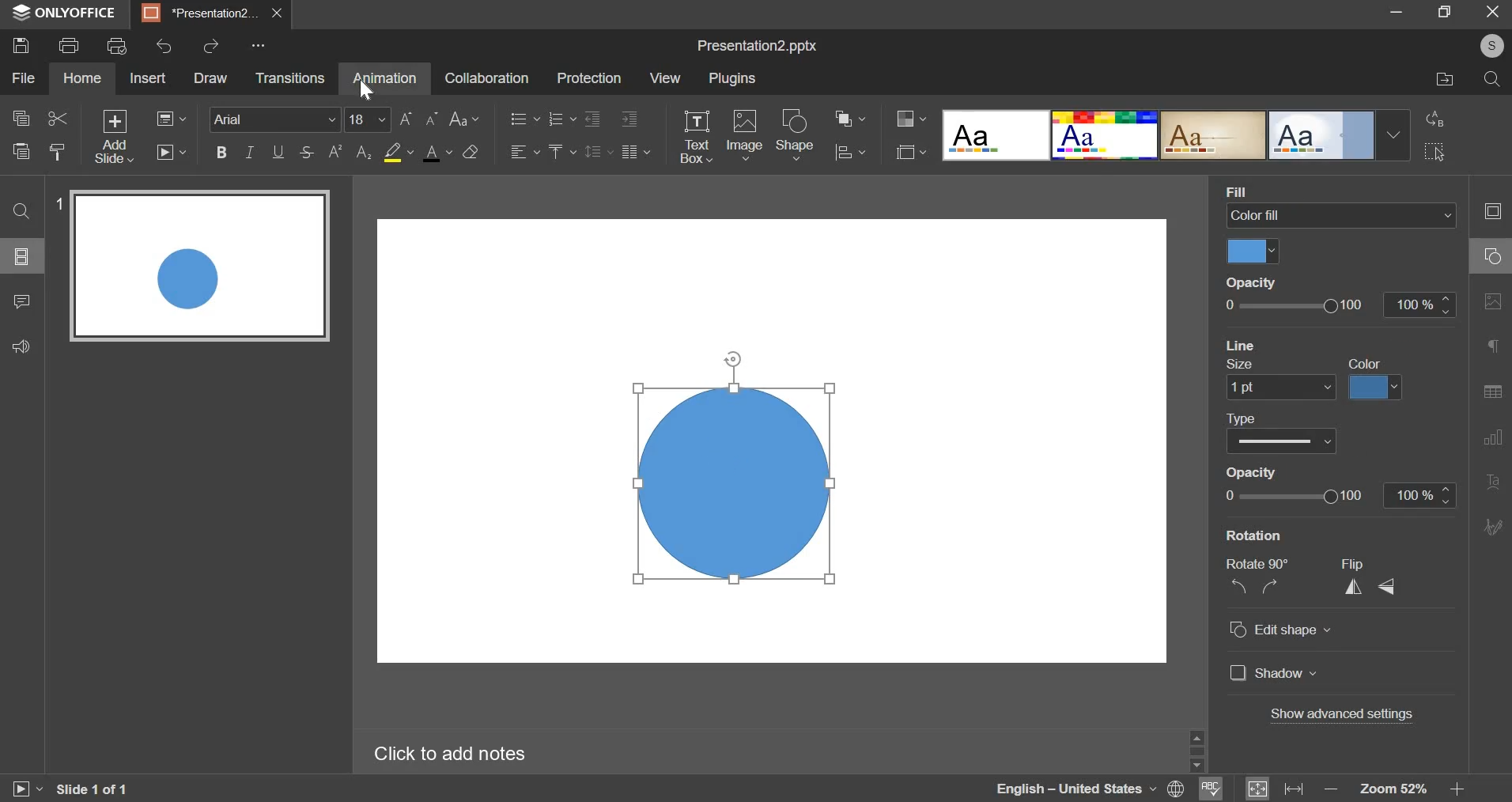  I want to click on save, so click(21, 45).